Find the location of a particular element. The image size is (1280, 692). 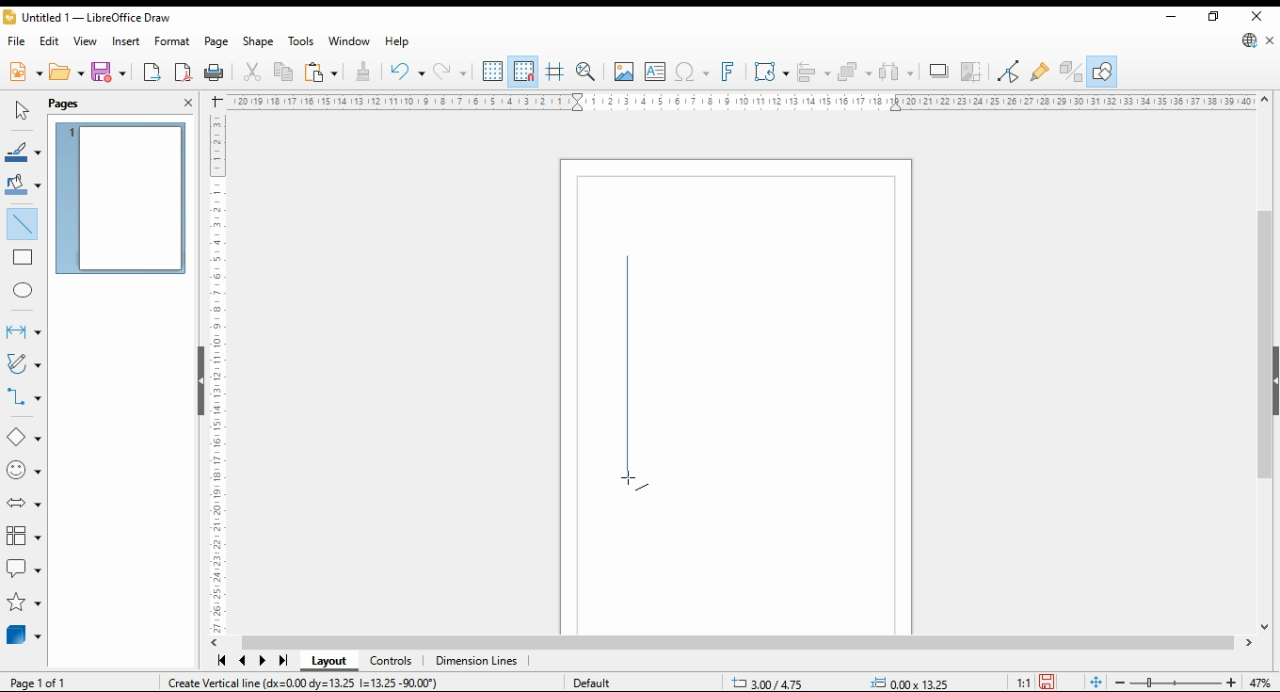

show grids is located at coordinates (492, 72).